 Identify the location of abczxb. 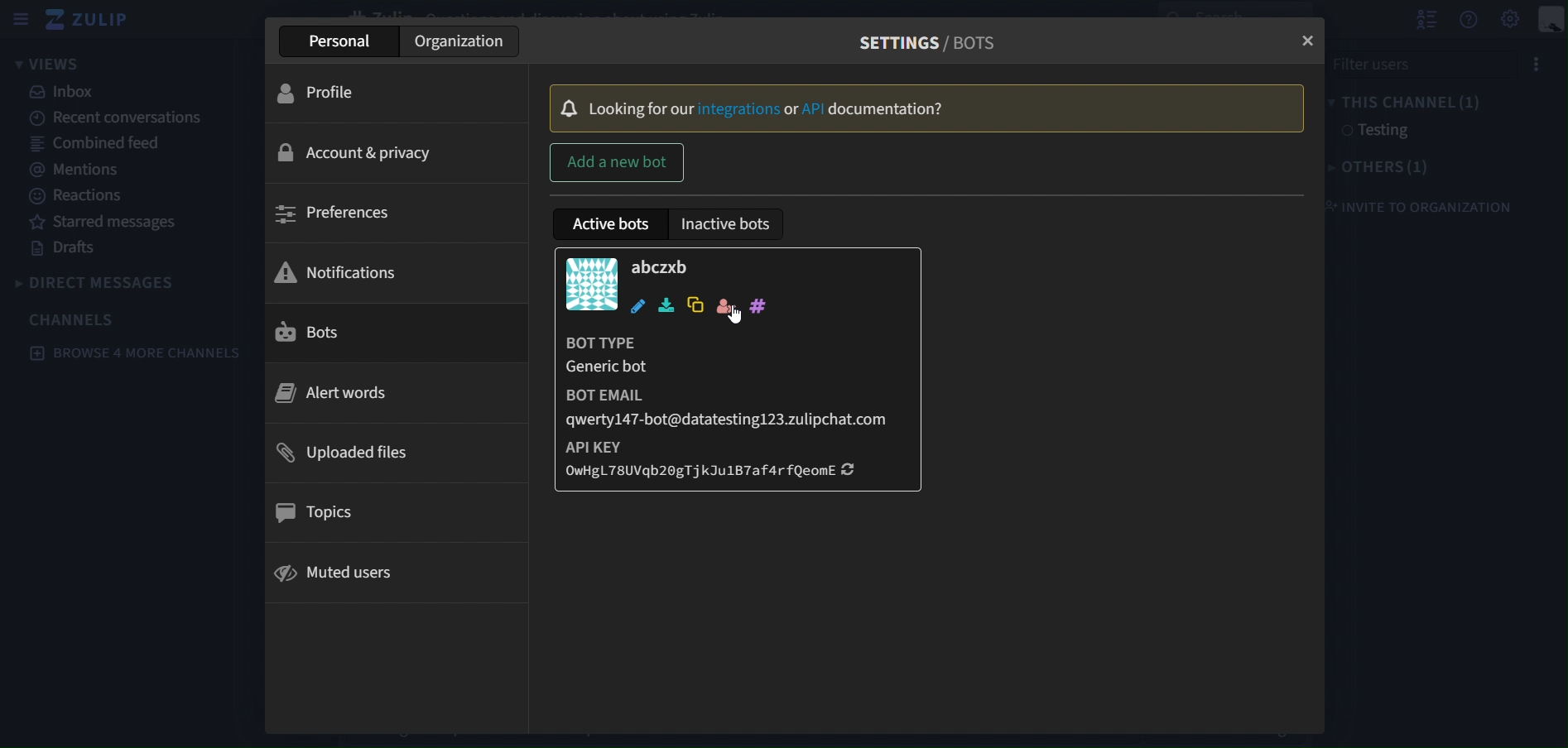
(661, 266).